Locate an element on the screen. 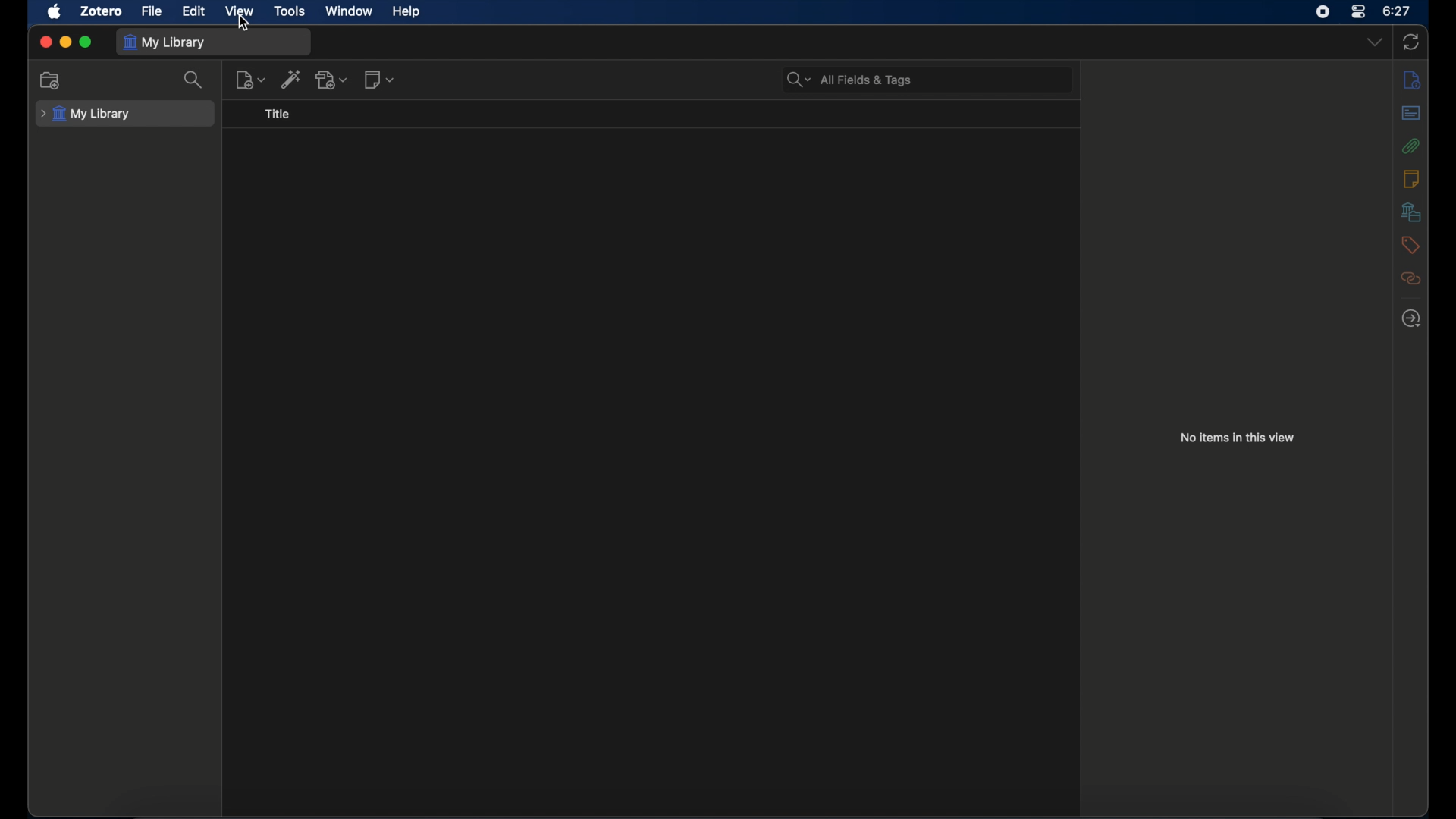  time is located at coordinates (1396, 11).